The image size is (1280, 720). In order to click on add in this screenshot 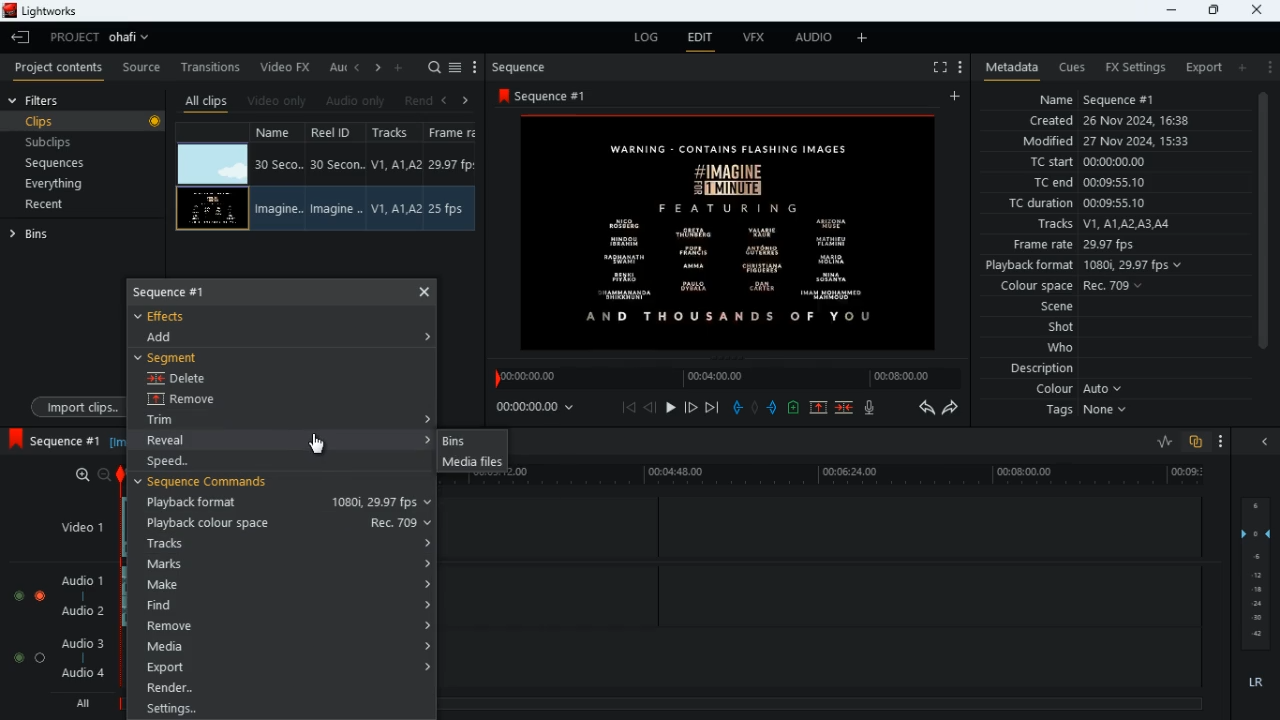, I will do `click(957, 97)`.